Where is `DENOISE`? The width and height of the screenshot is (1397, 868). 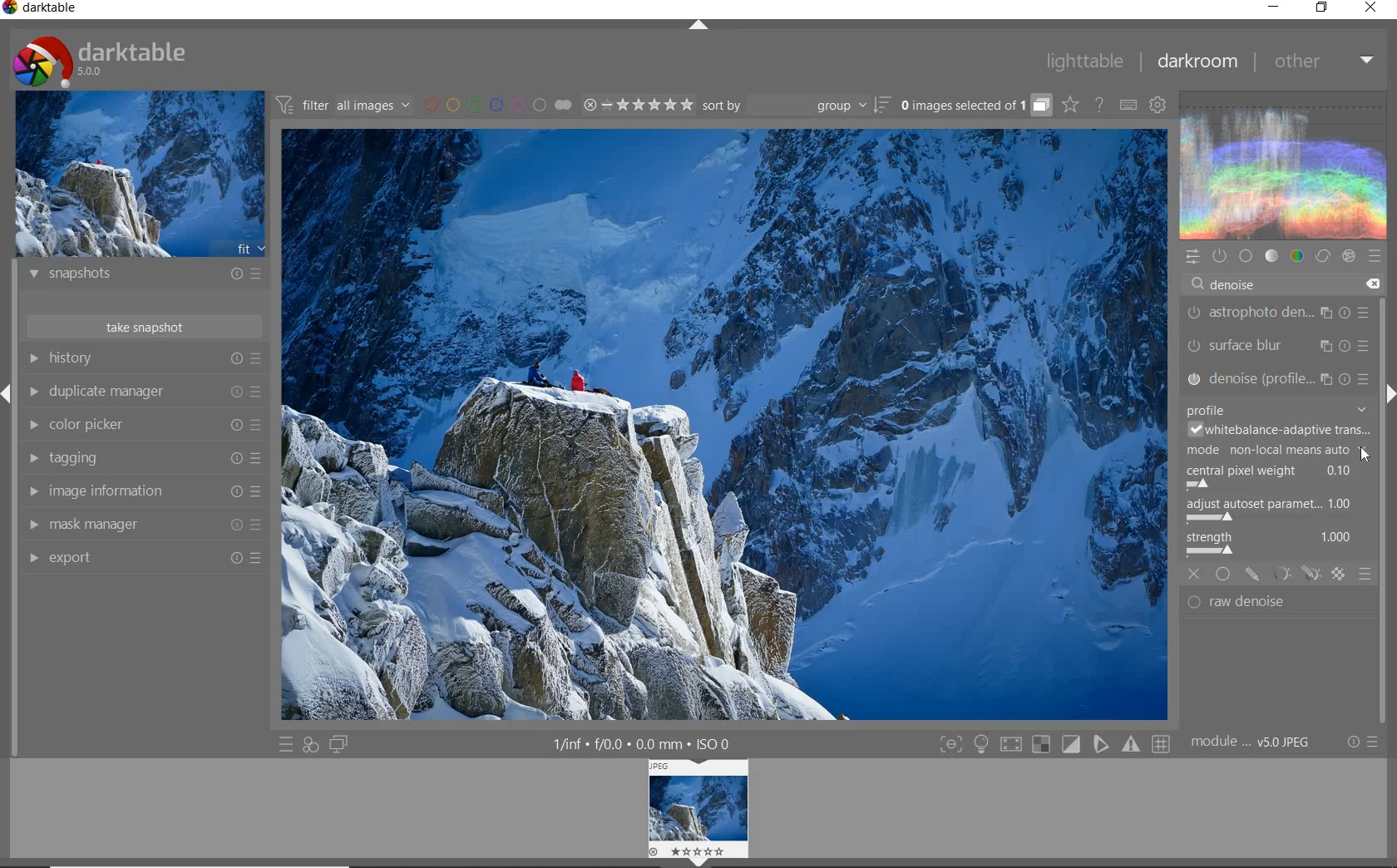 DENOISE is located at coordinates (1229, 285).